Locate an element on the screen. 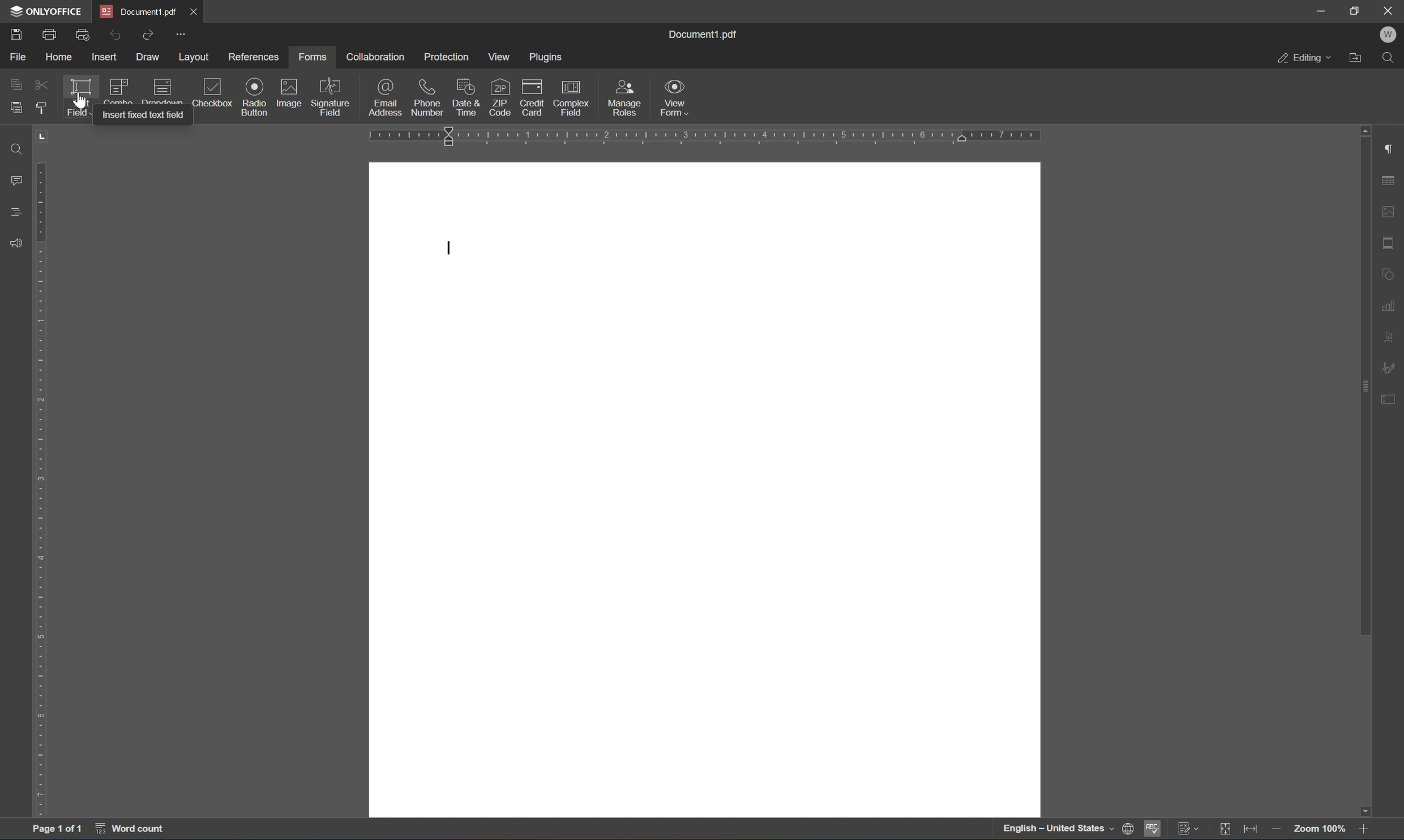 This screenshot has height=840, width=1404. signature field is located at coordinates (333, 98).